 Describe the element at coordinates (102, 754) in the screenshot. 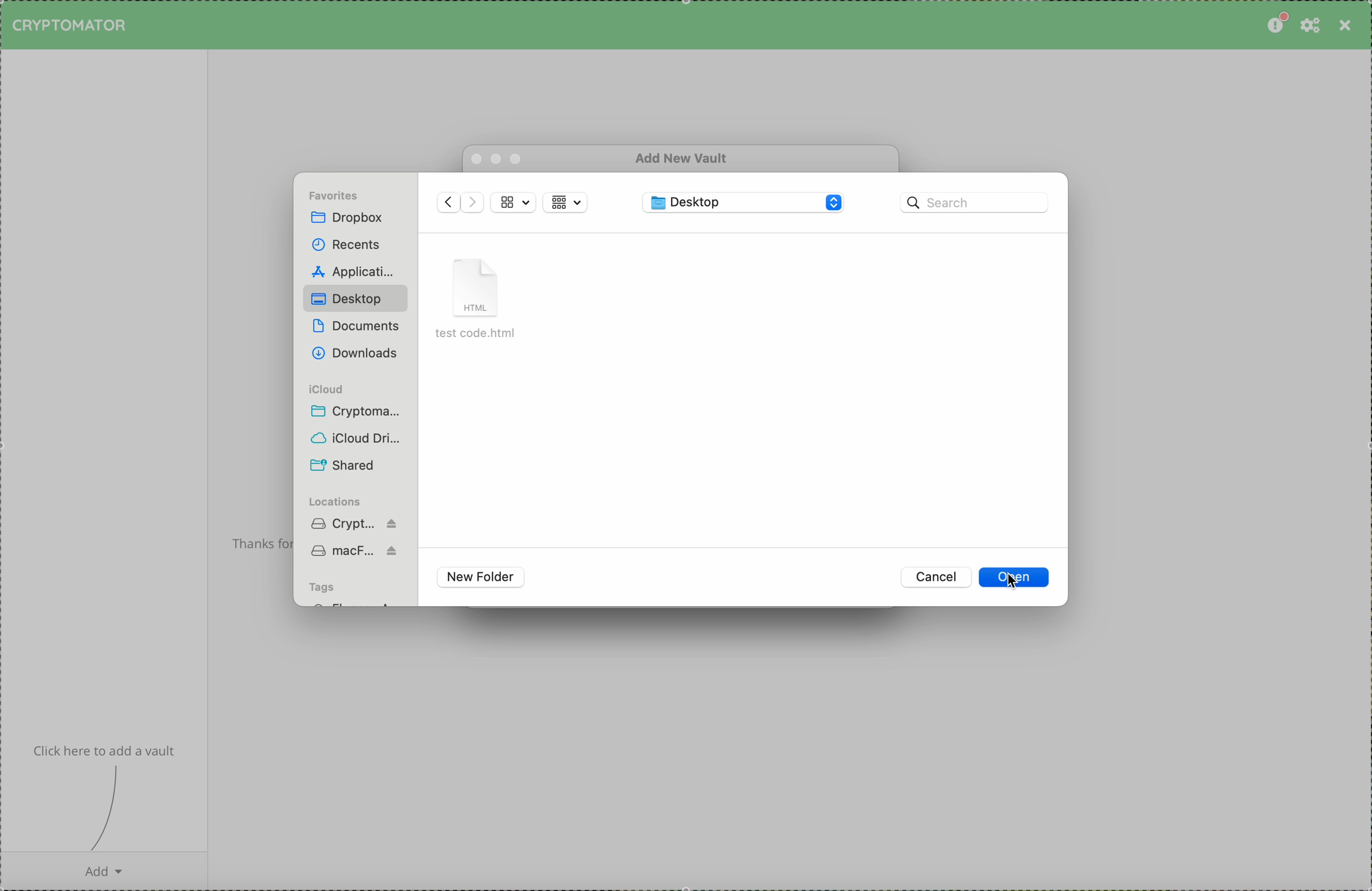

I see `info` at that location.